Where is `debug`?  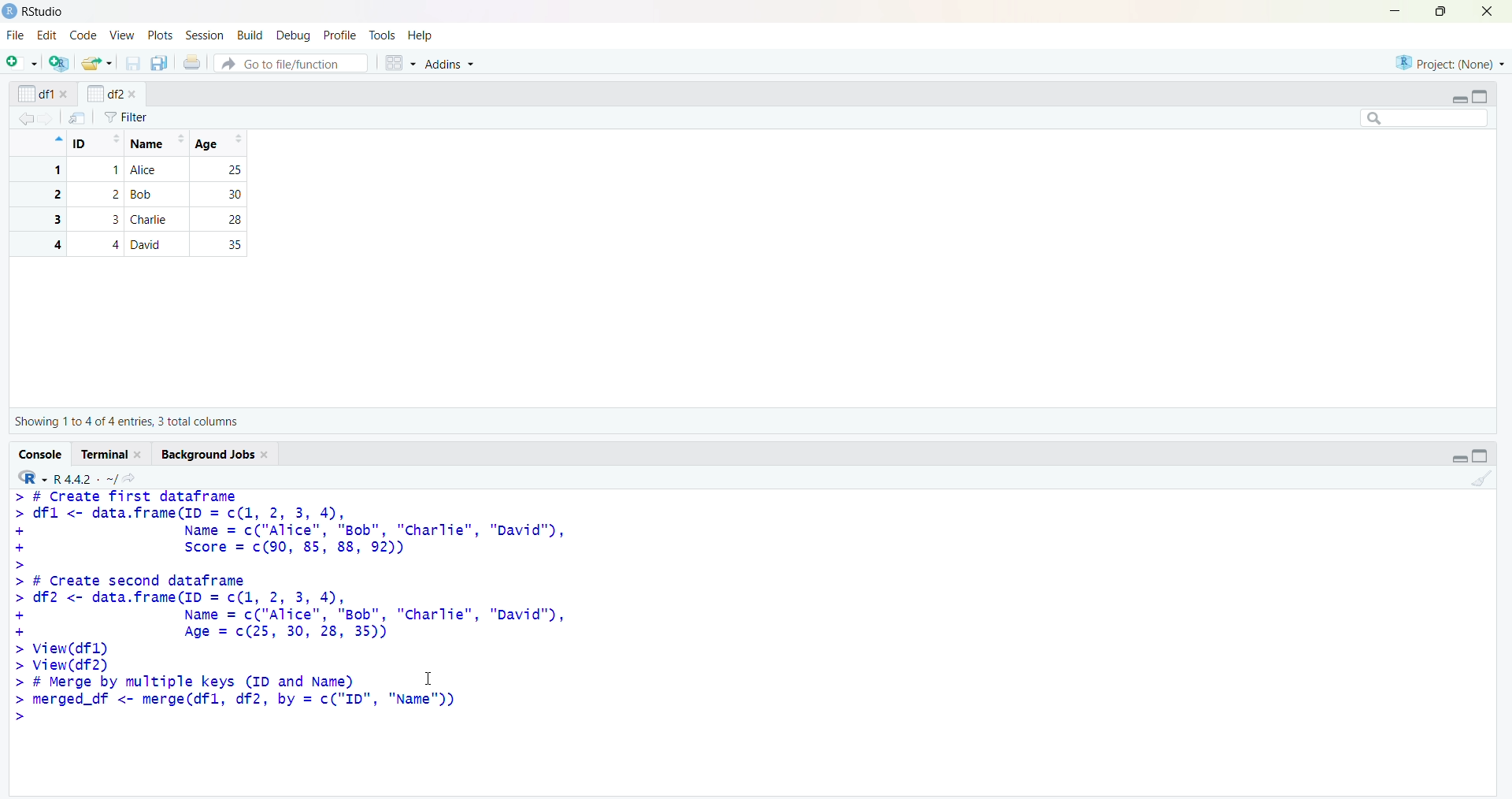 debug is located at coordinates (295, 36).